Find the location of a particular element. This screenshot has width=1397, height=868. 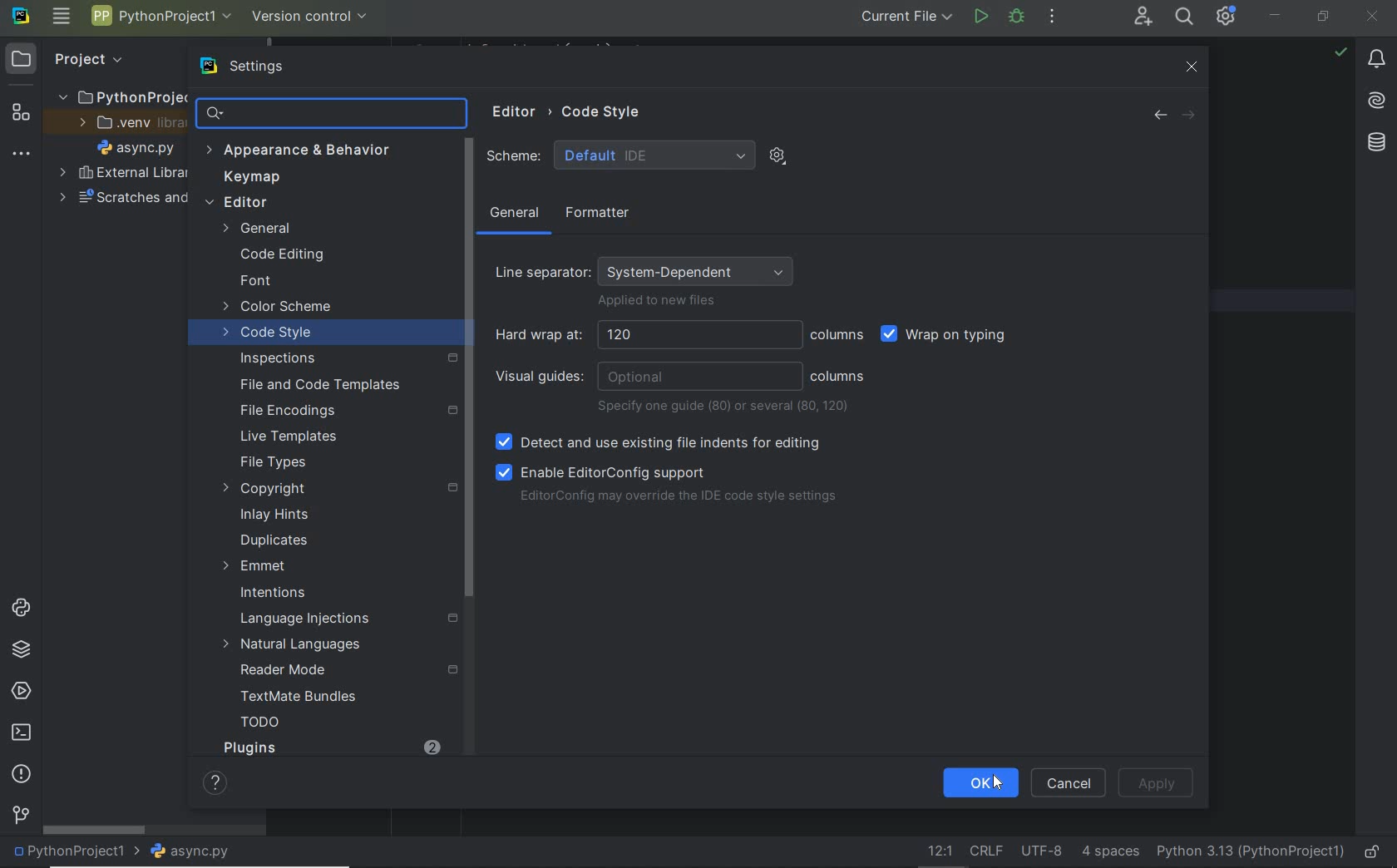

code with me is located at coordinates (1142, 18).